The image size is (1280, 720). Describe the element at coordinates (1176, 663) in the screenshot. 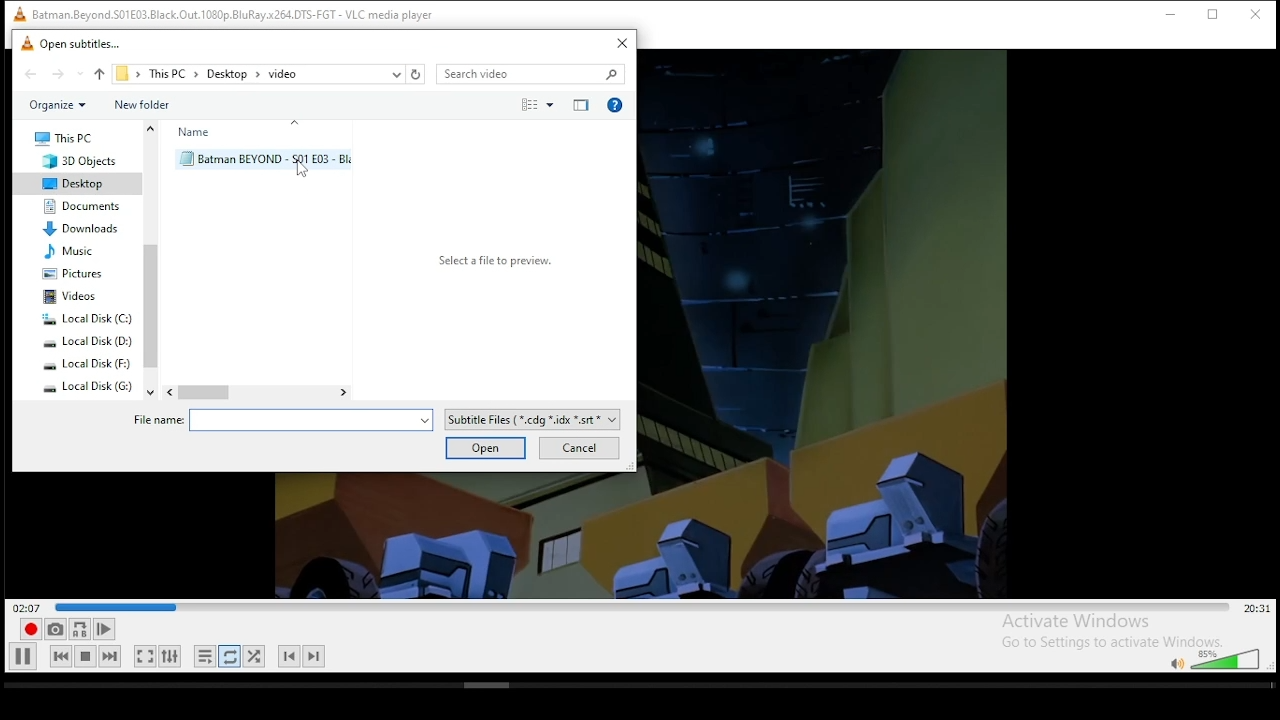

I see `mute/unmute` at that location.